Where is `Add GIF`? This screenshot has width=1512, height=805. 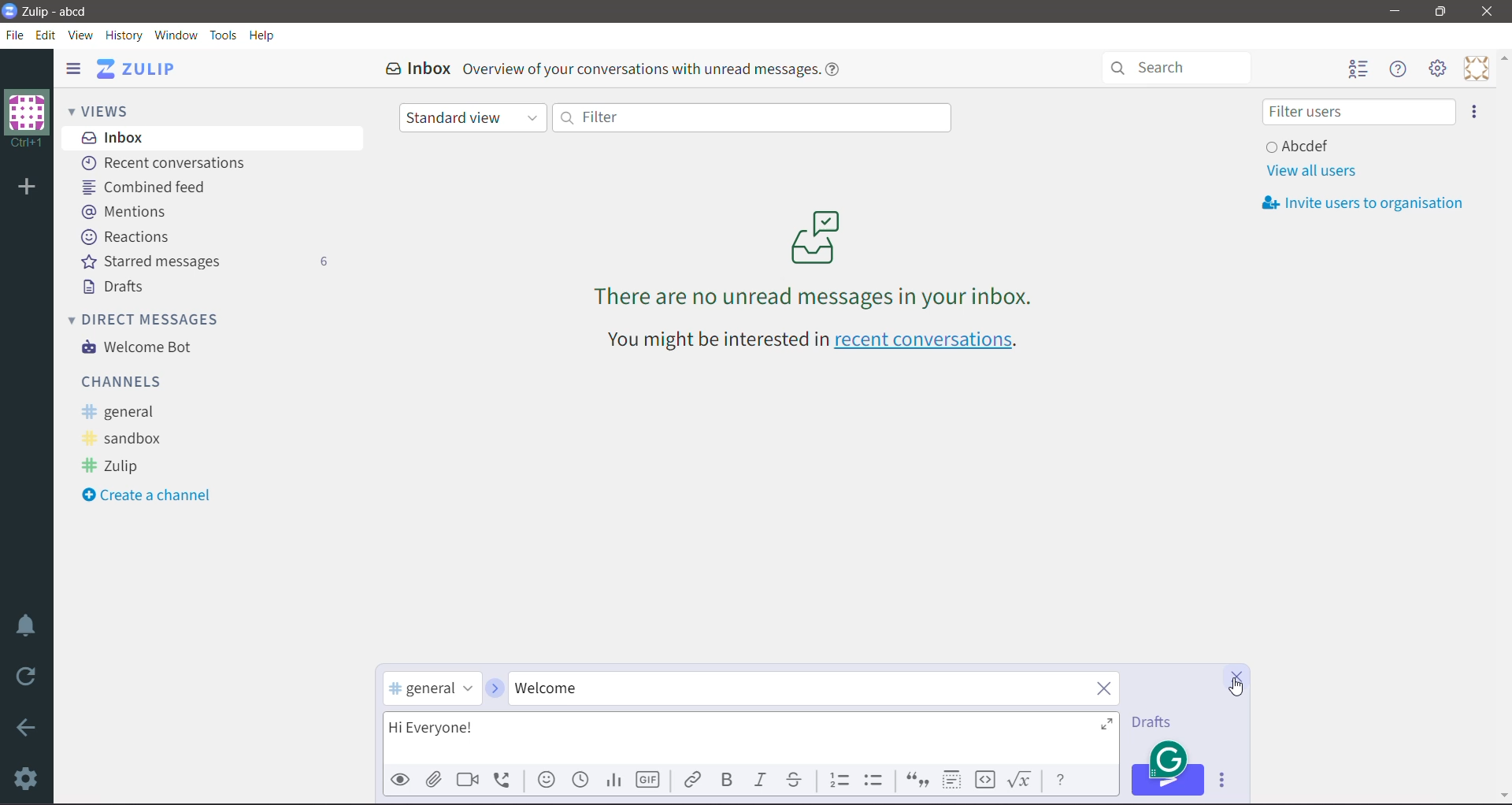
Add GIF is located at coordinates (647, 781).